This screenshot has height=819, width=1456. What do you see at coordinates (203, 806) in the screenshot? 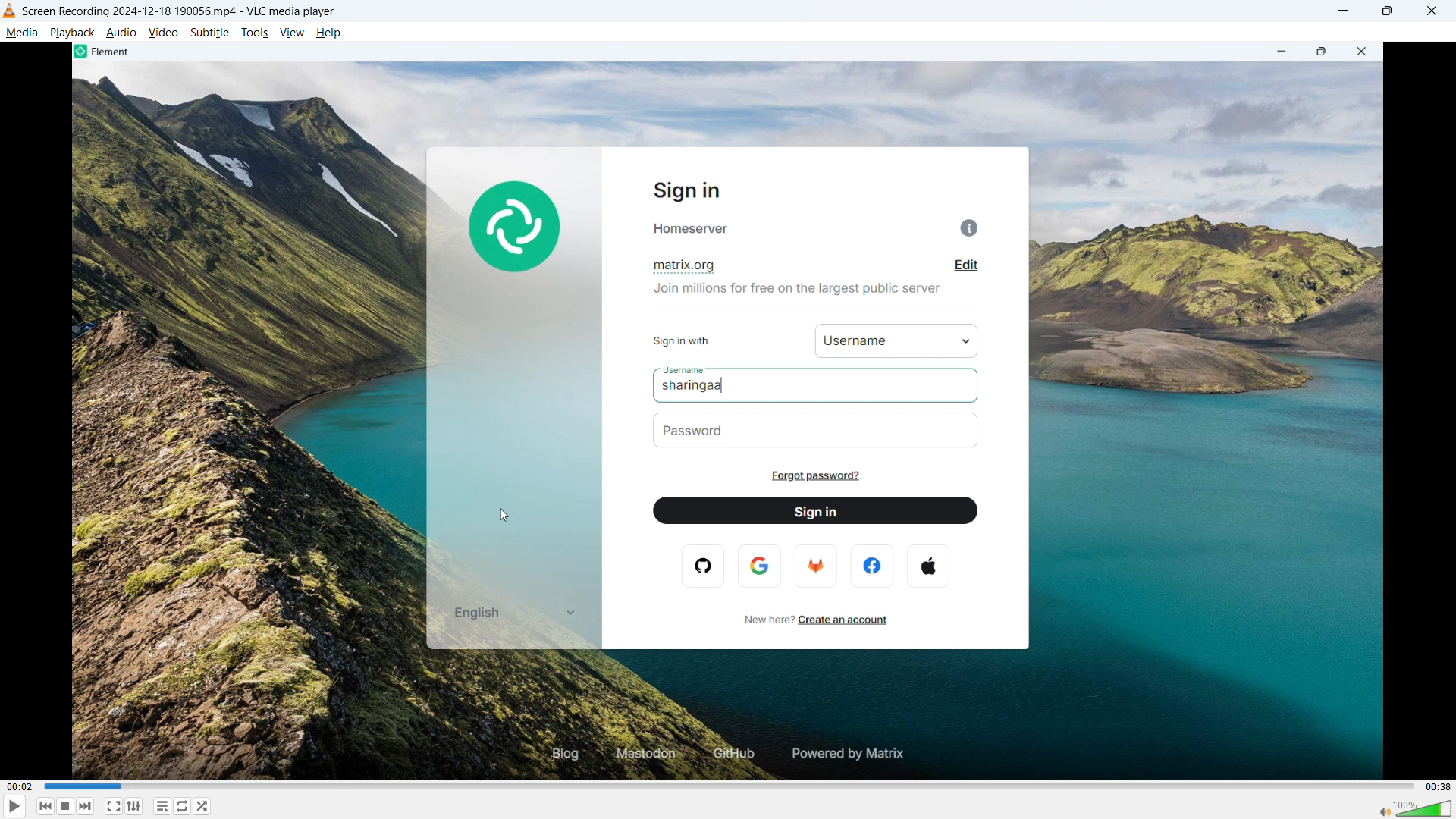
I see `shuffle` at bounding box center [203, 806].